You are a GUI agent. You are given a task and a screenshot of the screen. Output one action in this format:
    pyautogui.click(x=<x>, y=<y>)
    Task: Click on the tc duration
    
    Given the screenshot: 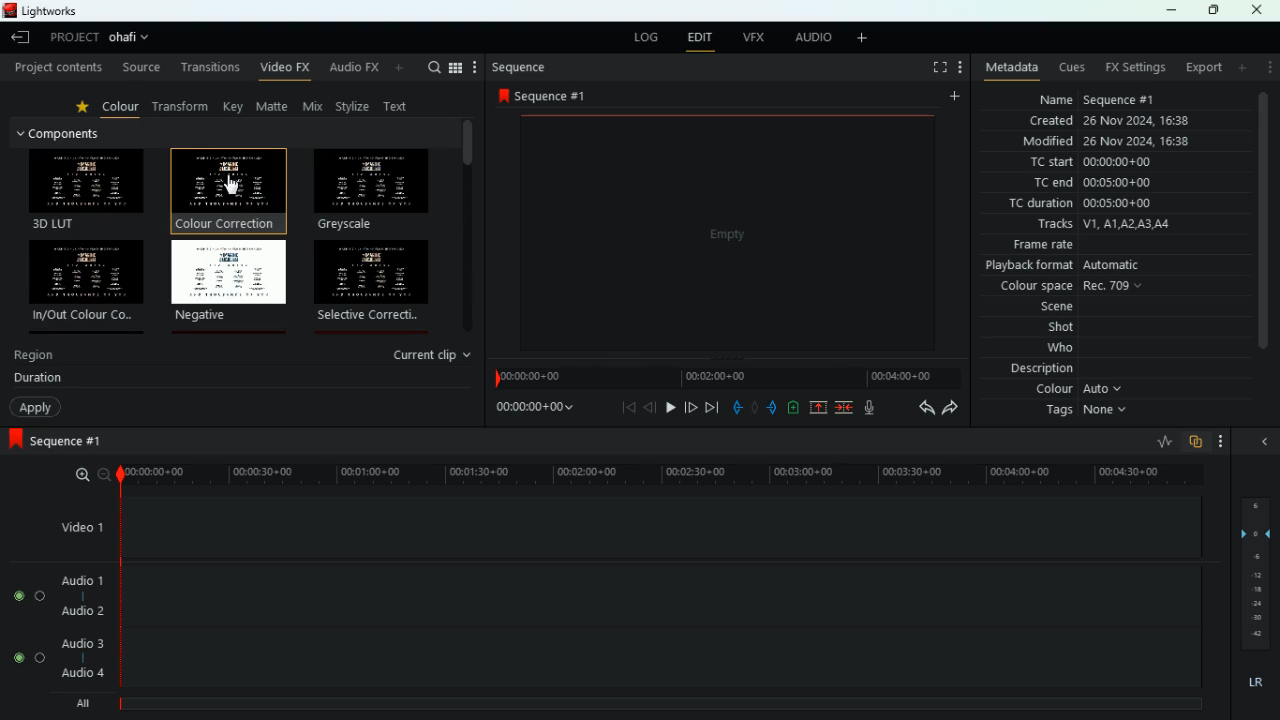 What is the action you would take?
    pyautogui.click(x=1089, y=205)
    